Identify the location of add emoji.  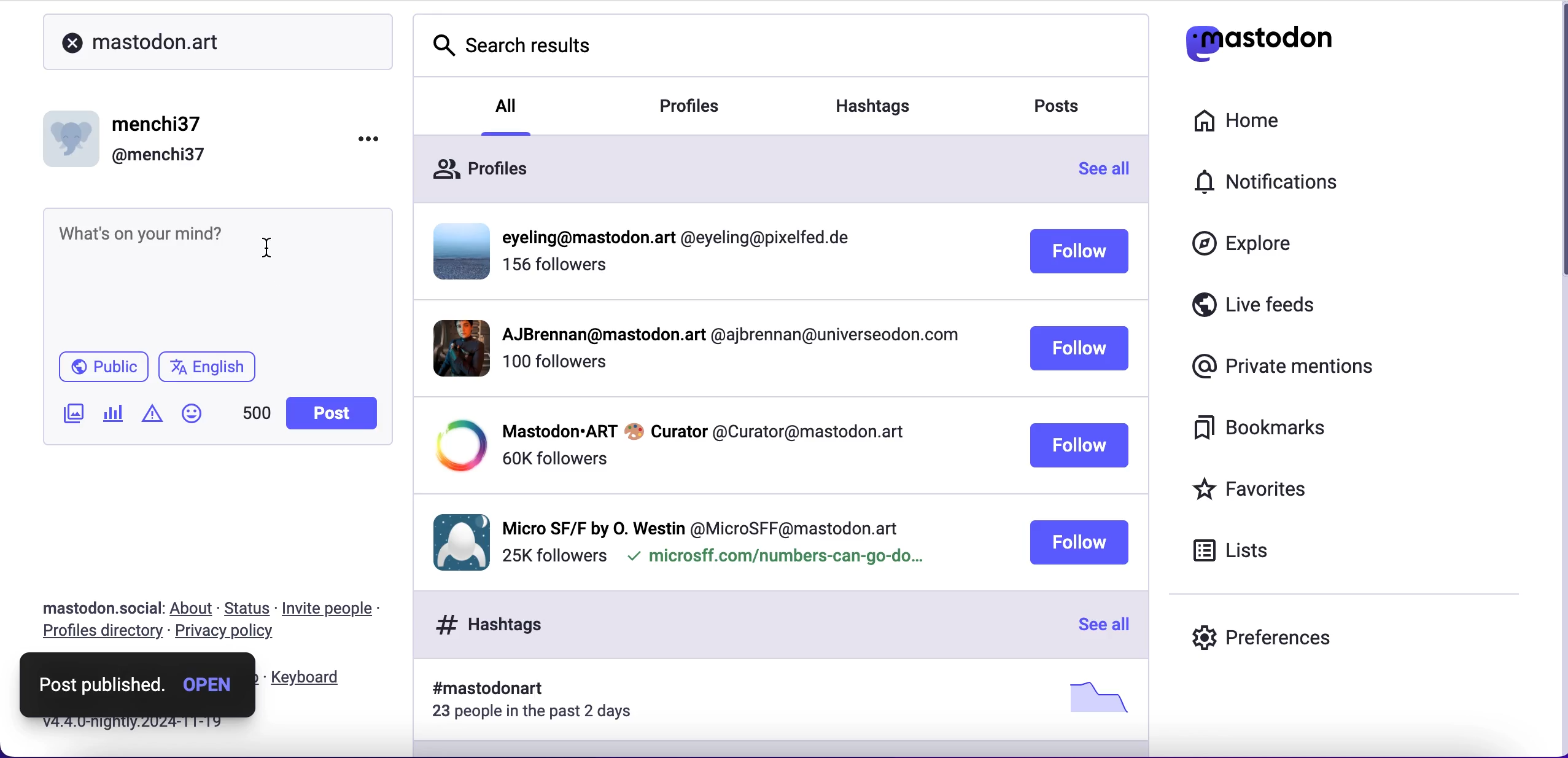
(192, 419).